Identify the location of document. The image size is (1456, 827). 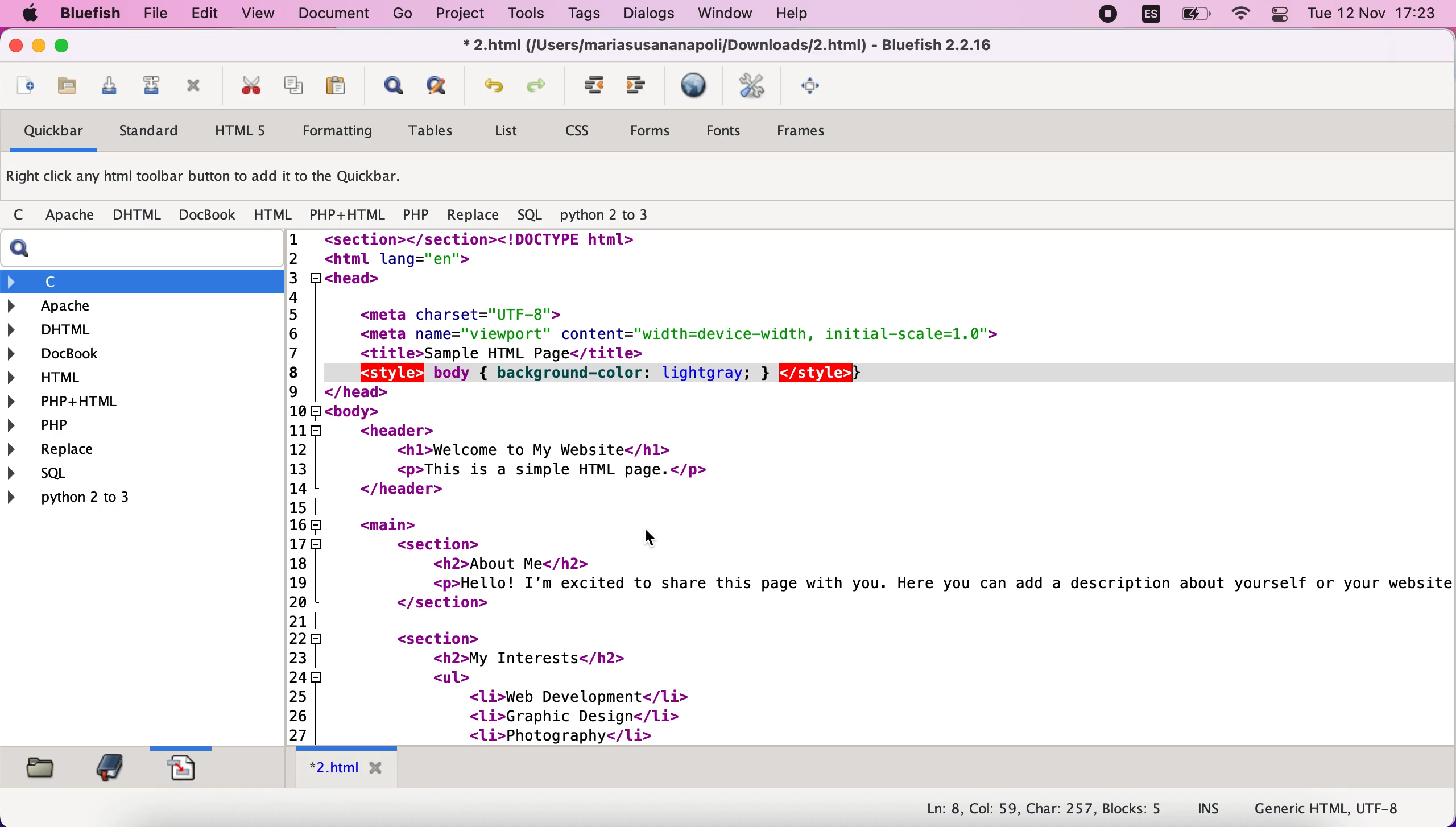
(335, 15).